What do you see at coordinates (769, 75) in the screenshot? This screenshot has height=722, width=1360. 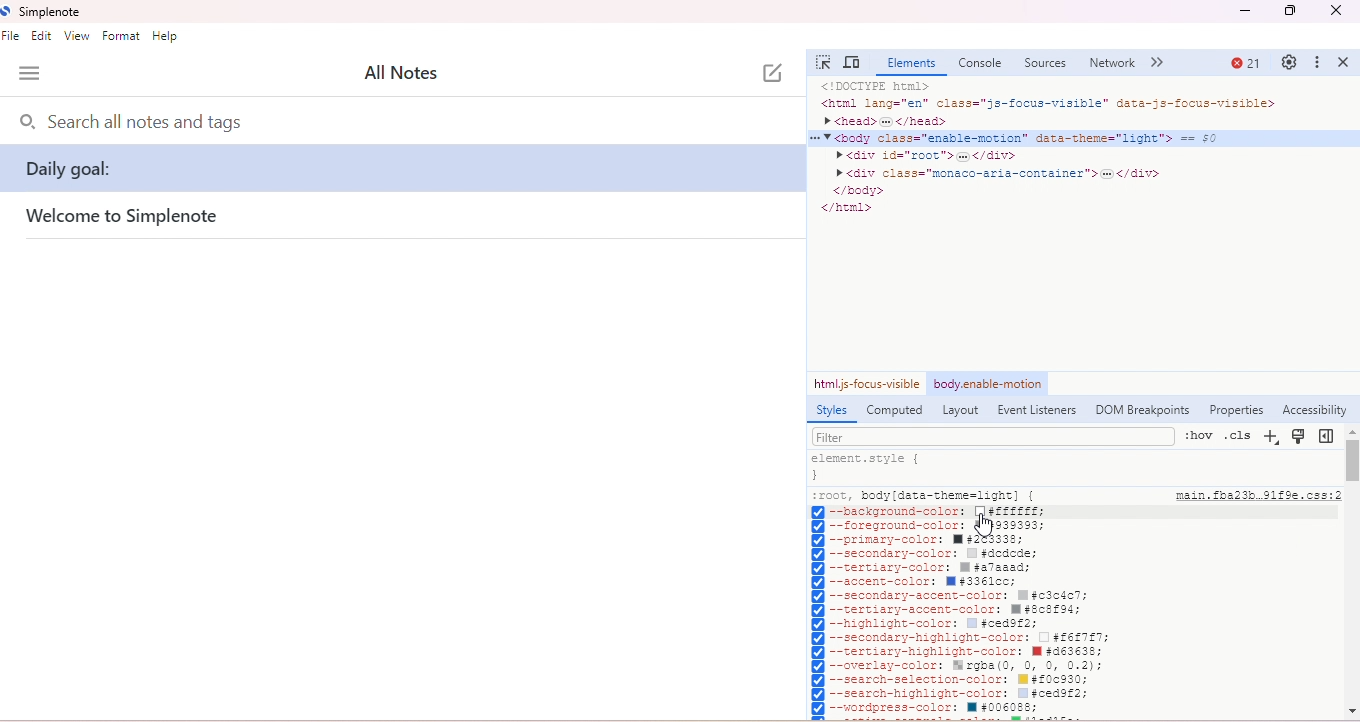 I see `new note` at bounding box center [769, 75].